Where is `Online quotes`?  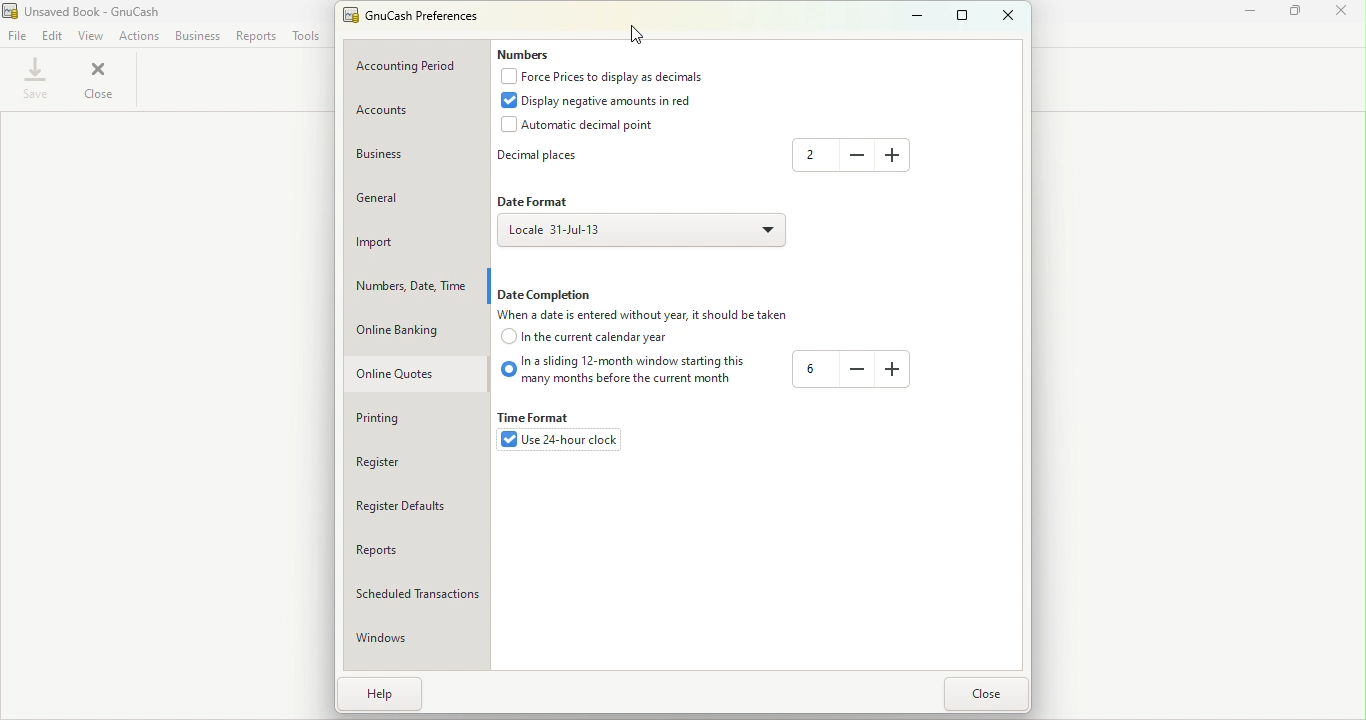
Online quotes is located at coordinates (401, 378).